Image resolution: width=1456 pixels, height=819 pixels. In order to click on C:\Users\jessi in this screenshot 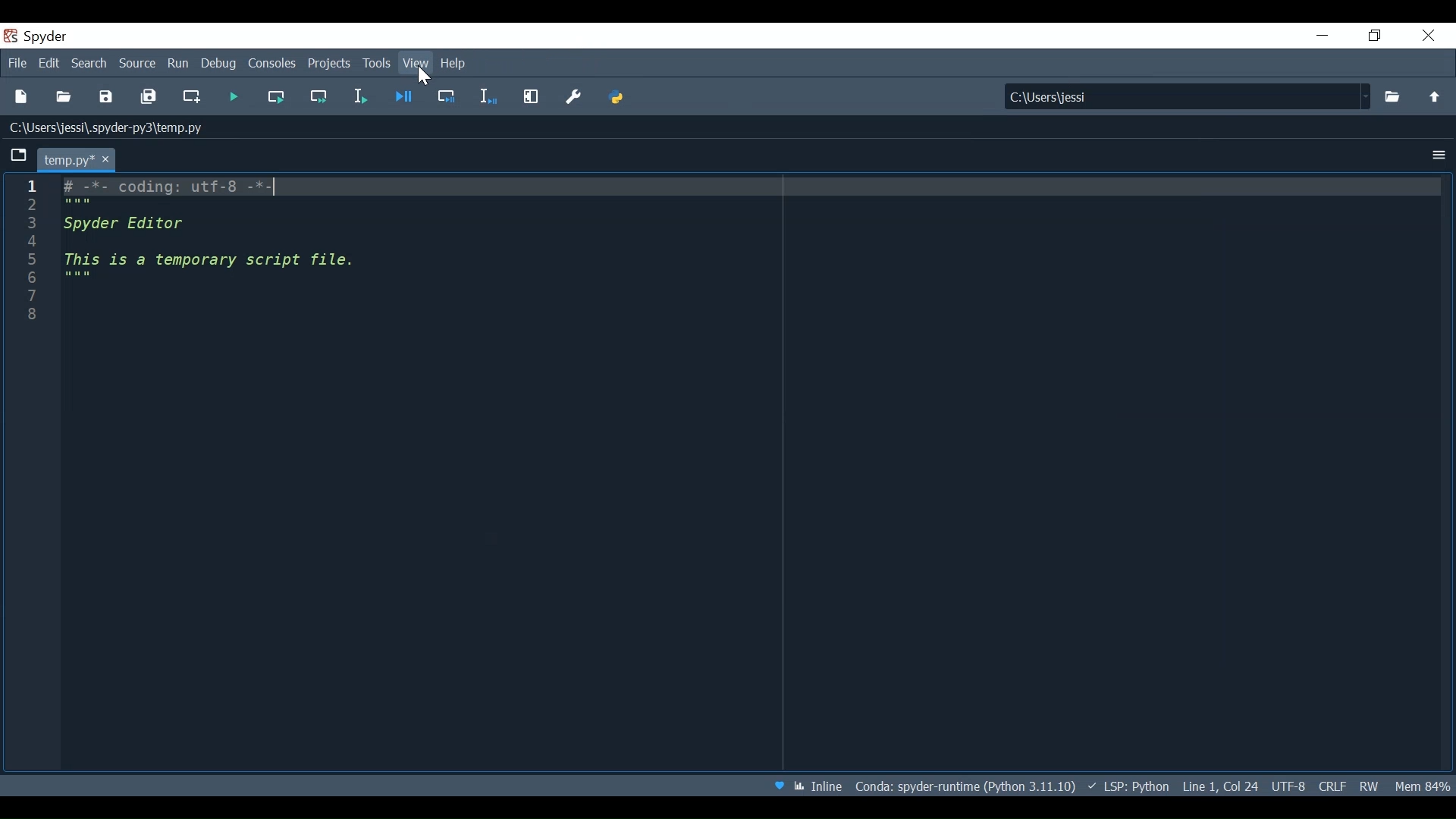, I will do `click(1172, 96)`.